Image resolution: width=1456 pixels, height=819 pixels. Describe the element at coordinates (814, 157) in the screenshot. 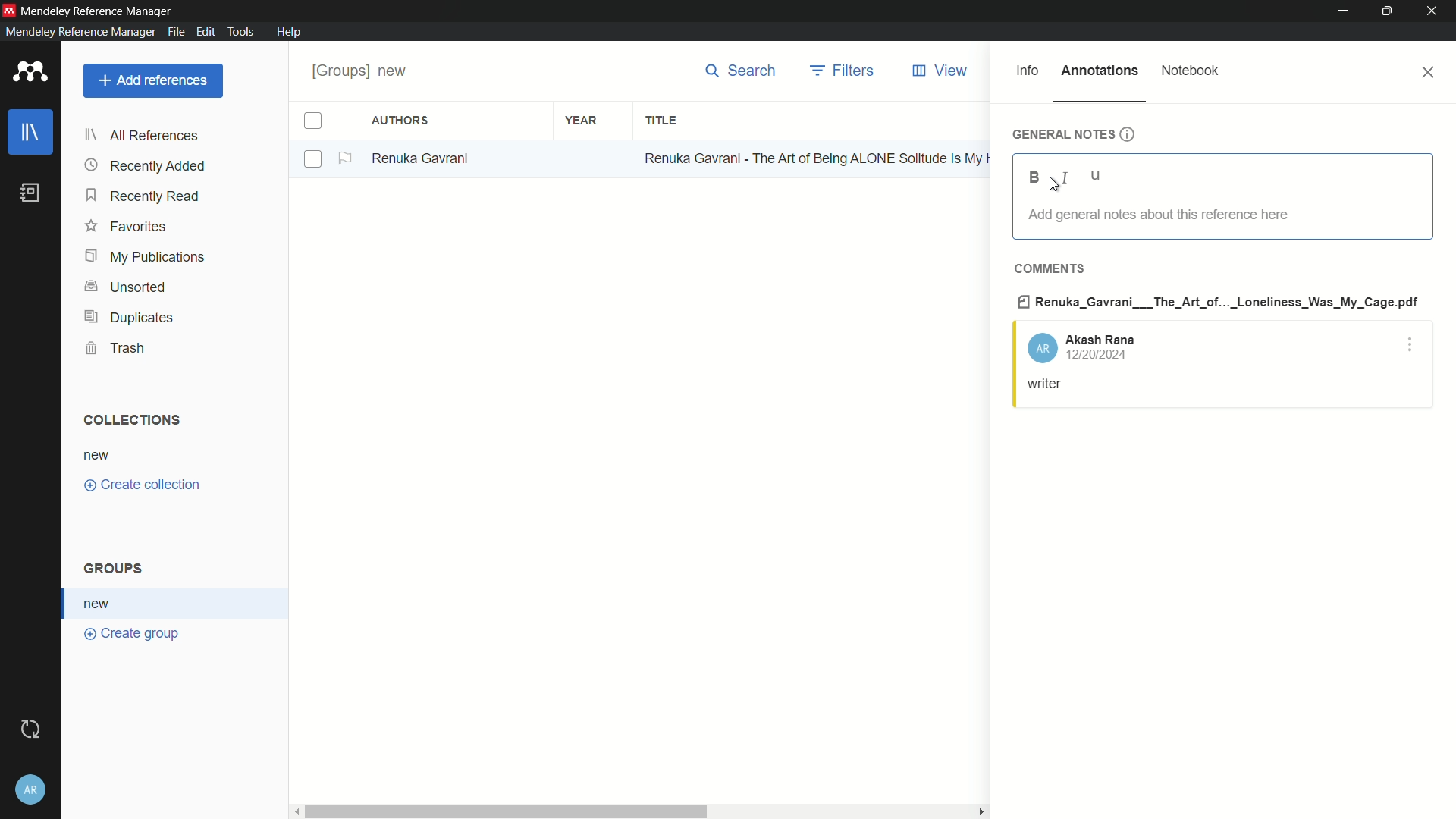

I see `Renuka Gavrani-The Art of Being ALONE Solitude Is My HOME, Loneliness W...` at that location.